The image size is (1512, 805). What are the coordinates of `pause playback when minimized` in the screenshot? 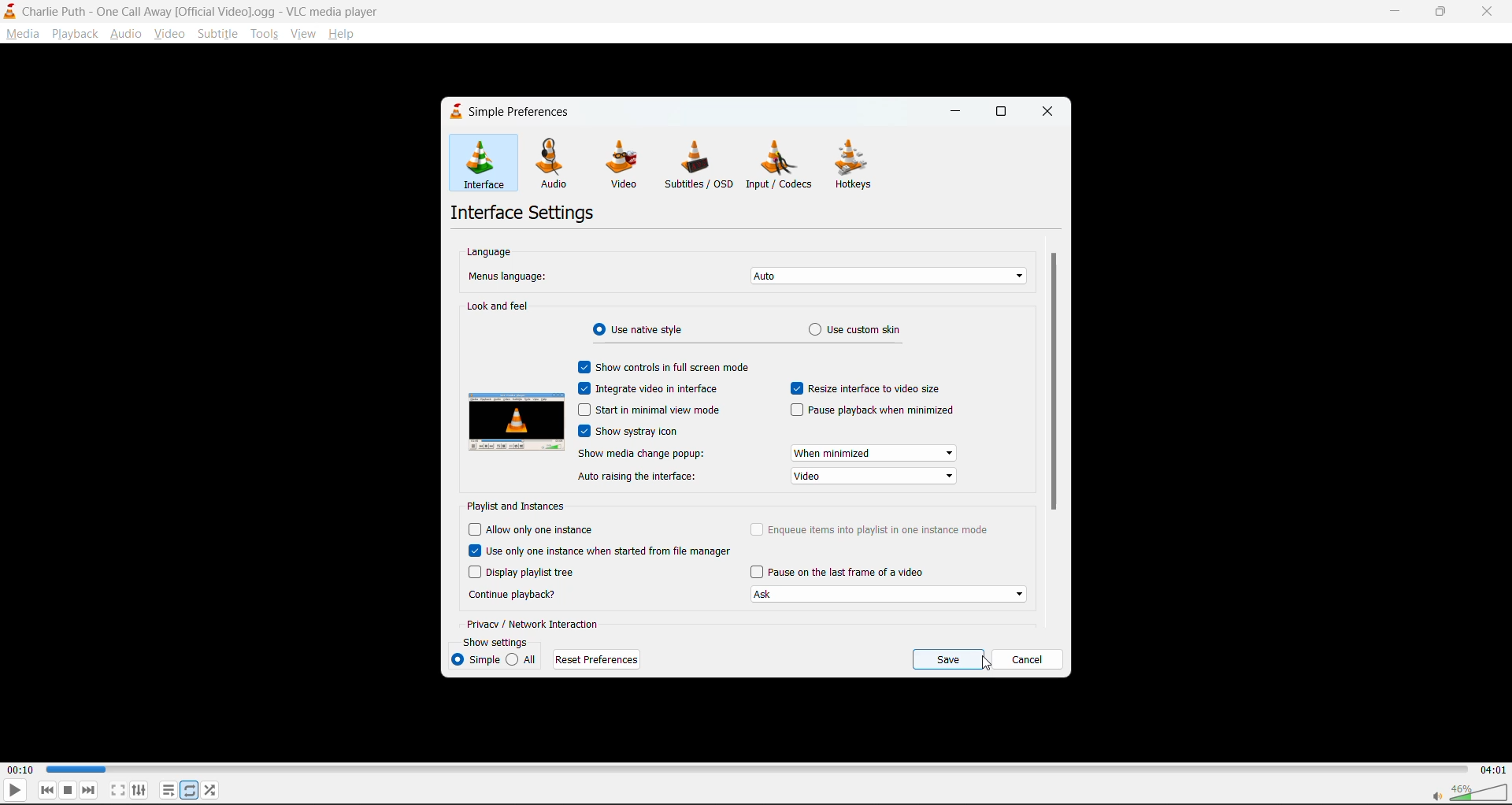 It's located at (884, 414).